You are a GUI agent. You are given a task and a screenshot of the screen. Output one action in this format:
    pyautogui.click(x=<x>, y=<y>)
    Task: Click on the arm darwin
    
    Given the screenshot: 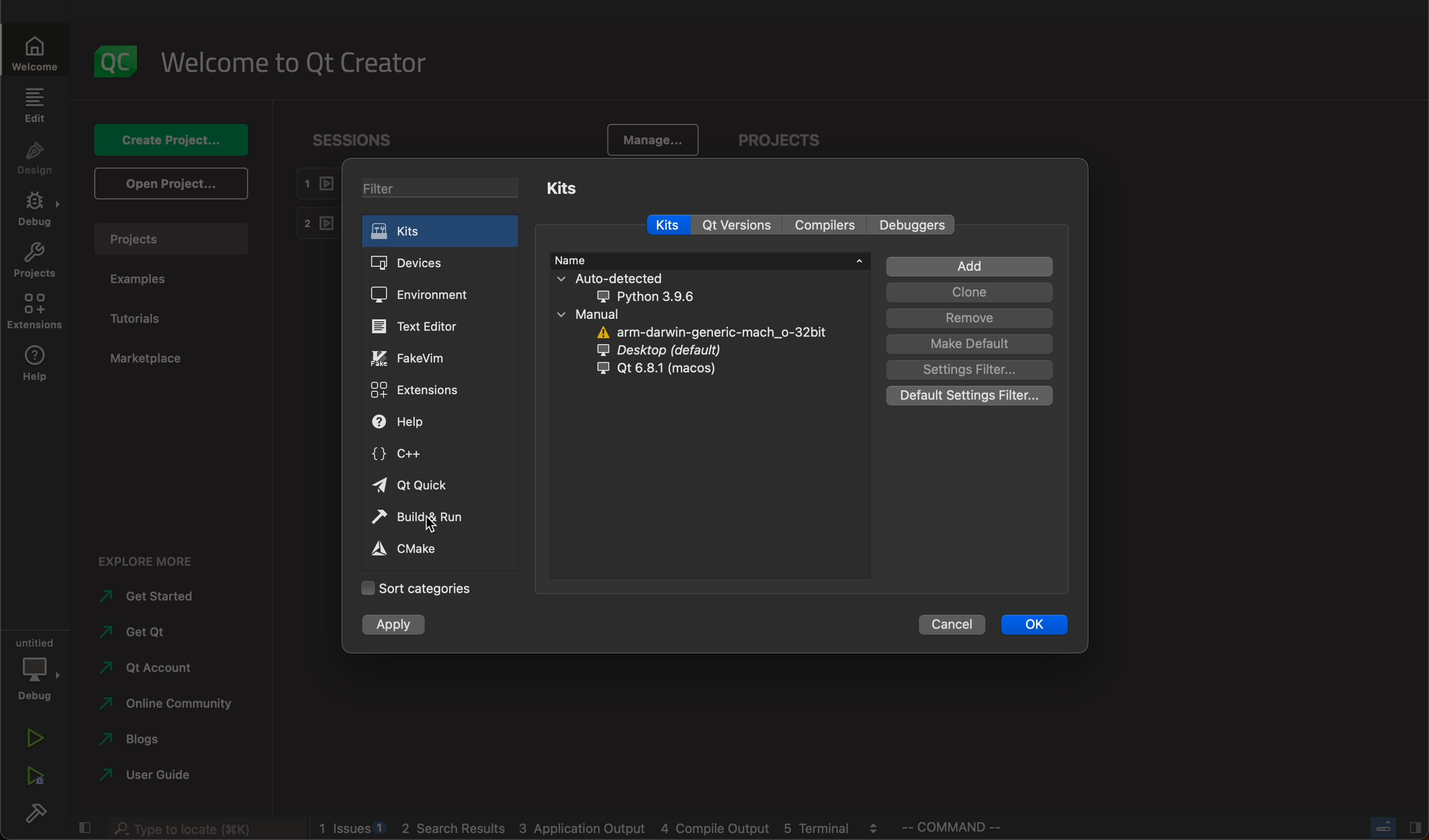 What is the action you would take?
    pyautogui.click(x=712, y=332)
    